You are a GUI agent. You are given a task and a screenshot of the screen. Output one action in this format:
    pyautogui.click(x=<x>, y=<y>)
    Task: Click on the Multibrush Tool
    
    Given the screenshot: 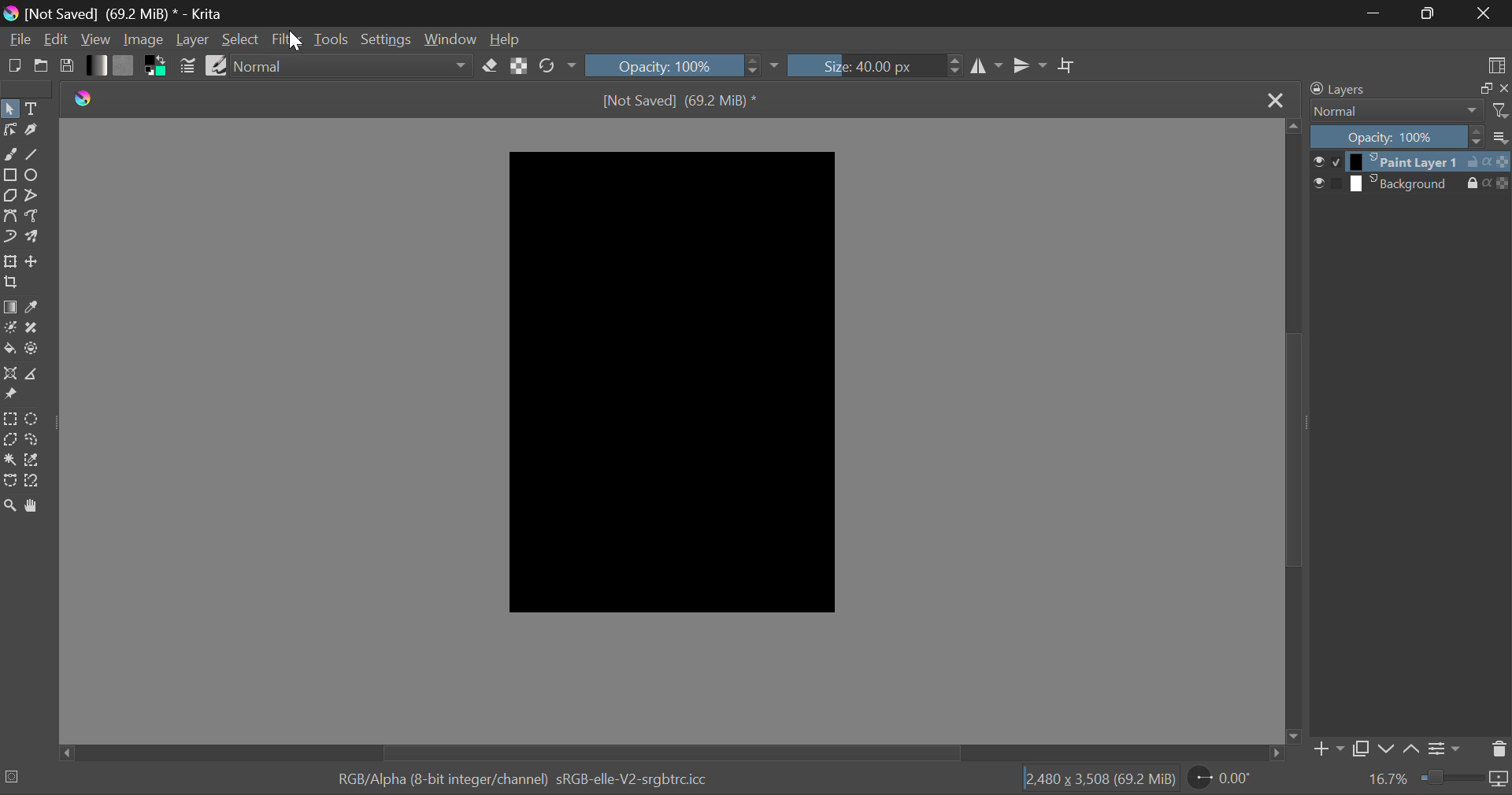 What is the action you would take?
    pyautogui.click(x=32, y=238)
    